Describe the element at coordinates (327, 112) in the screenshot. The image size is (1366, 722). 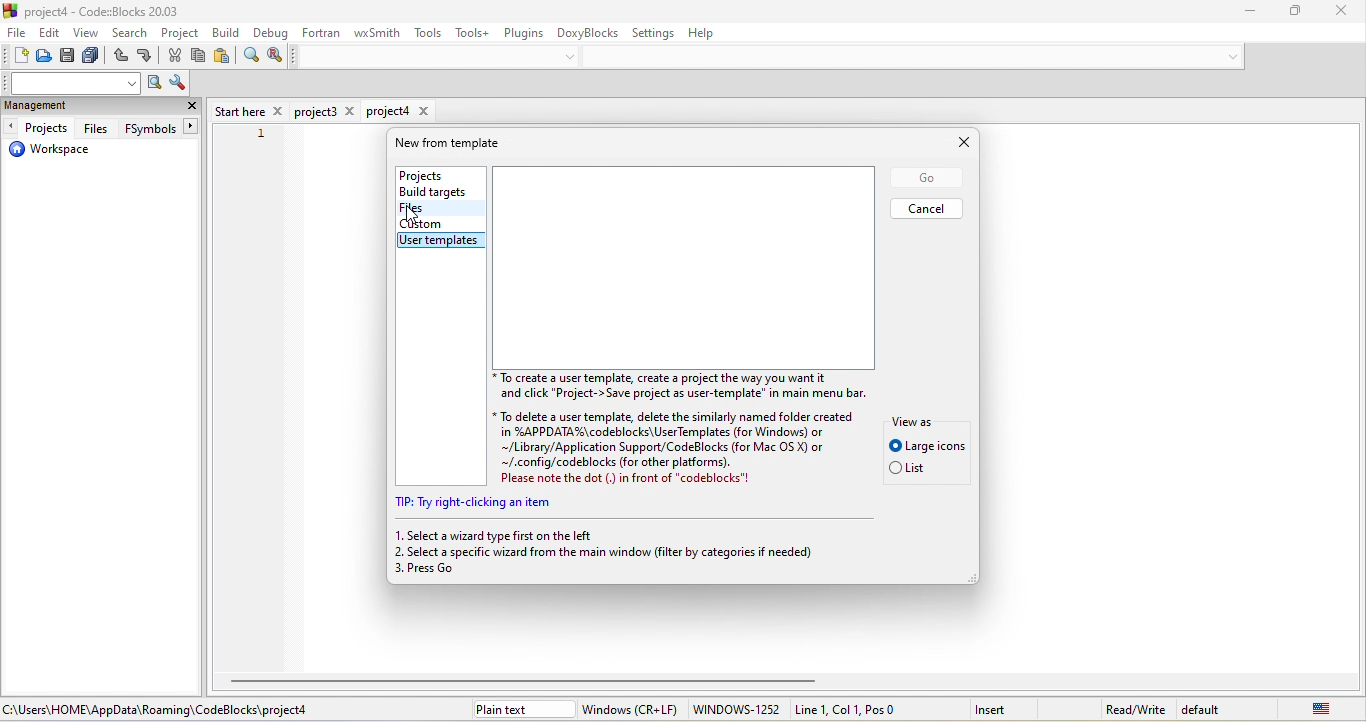
I see `project3` at that location.